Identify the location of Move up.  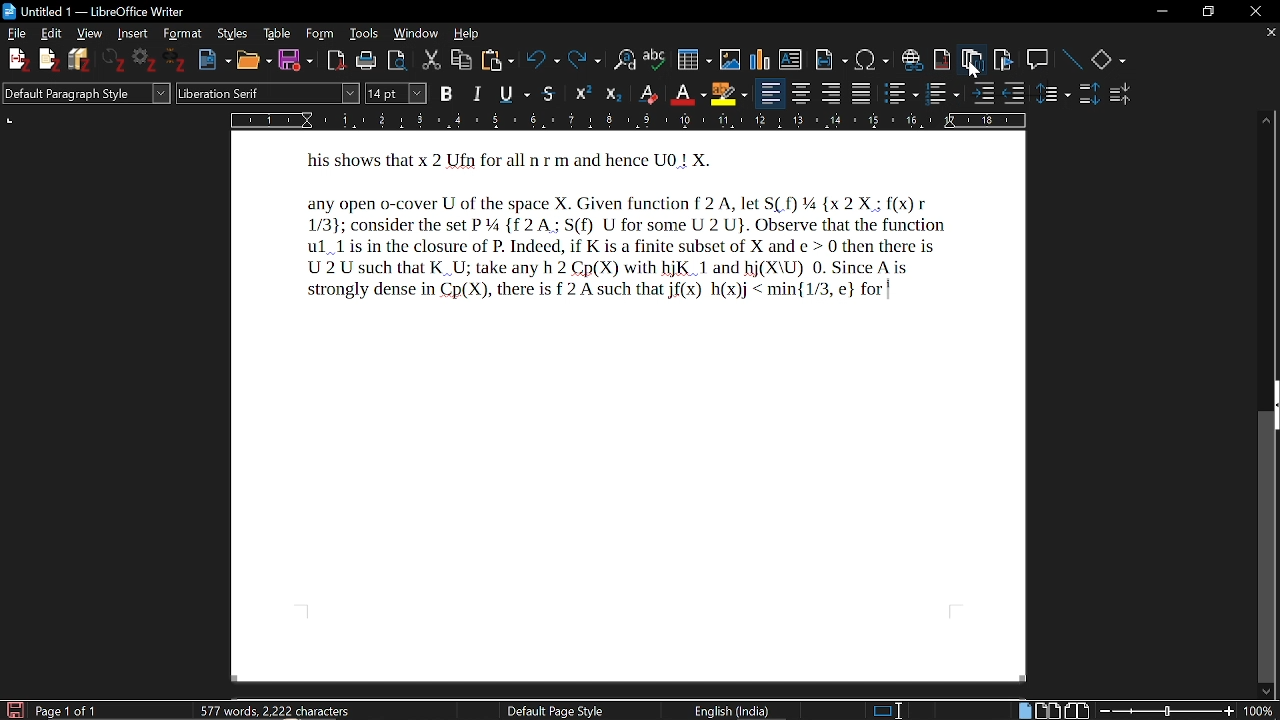
(1266, 122).